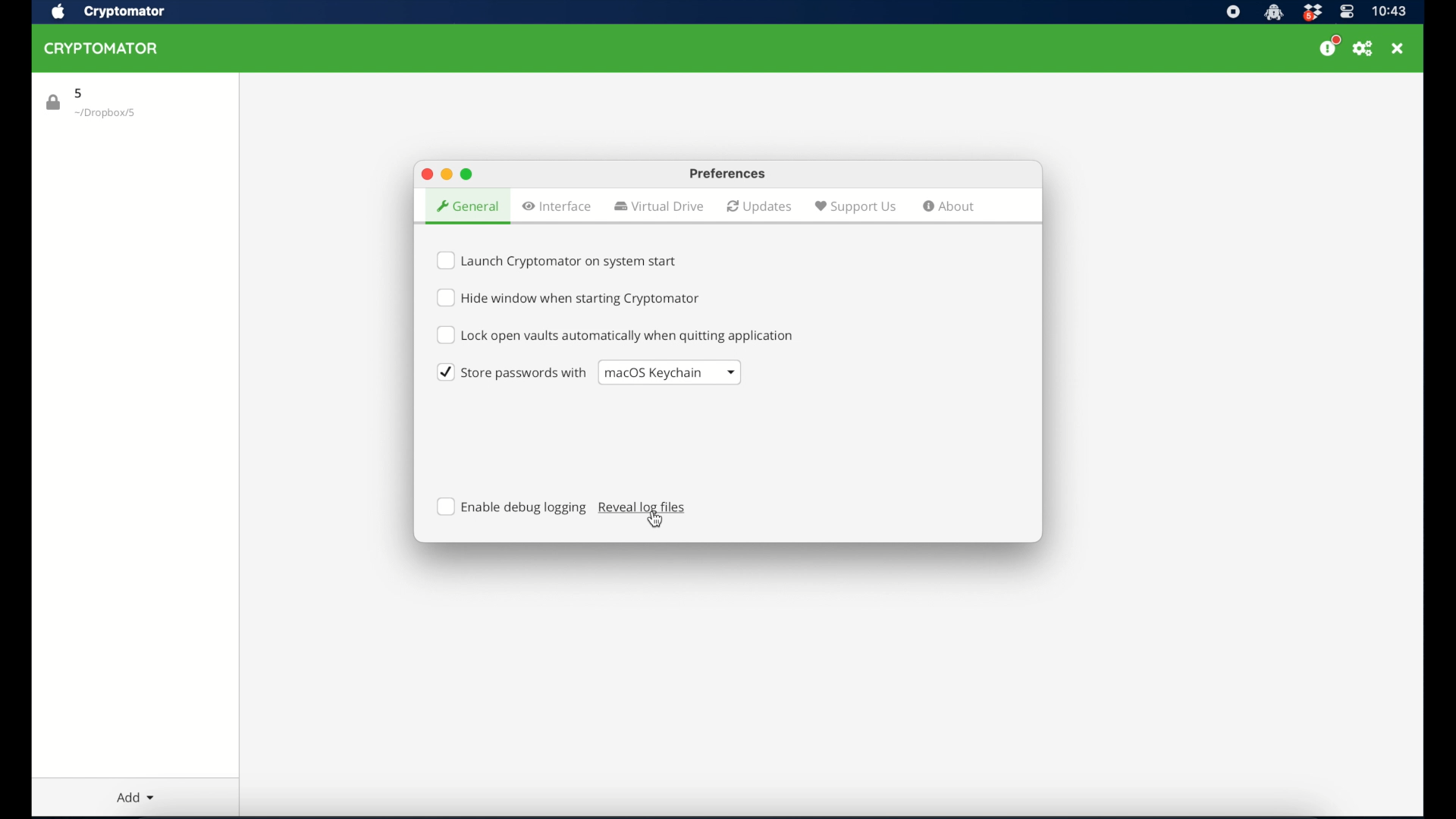 This screenshot has width=1456, height=819. What do you see at coordinates (58, 12) in the screenshot?
I see `apple icon` at bounding box center [58, 12].